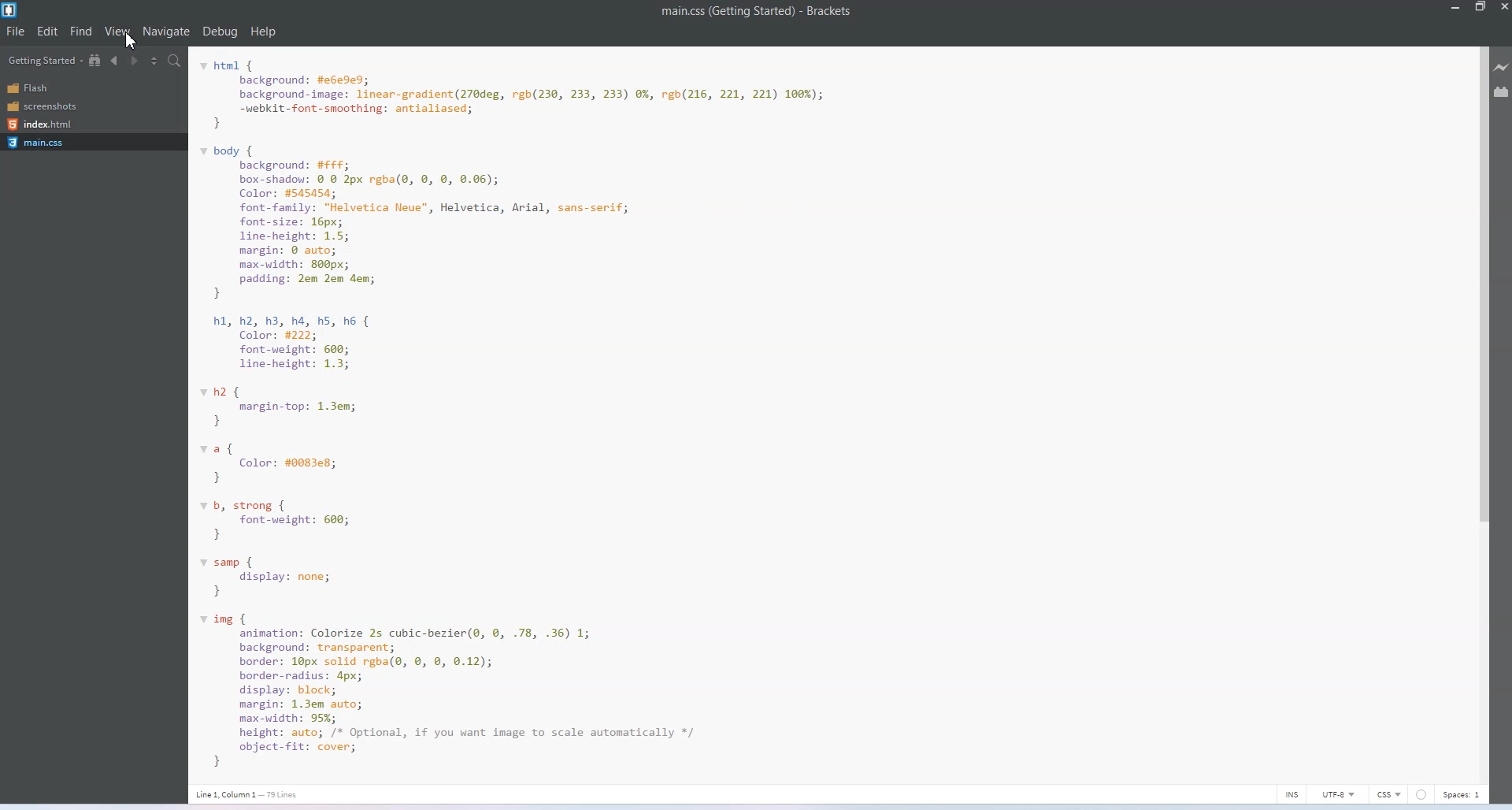 The image size is (1512, 810). Describe the element at coordinates (169, 32) in the screenshot. I see `Navigate` at that location.